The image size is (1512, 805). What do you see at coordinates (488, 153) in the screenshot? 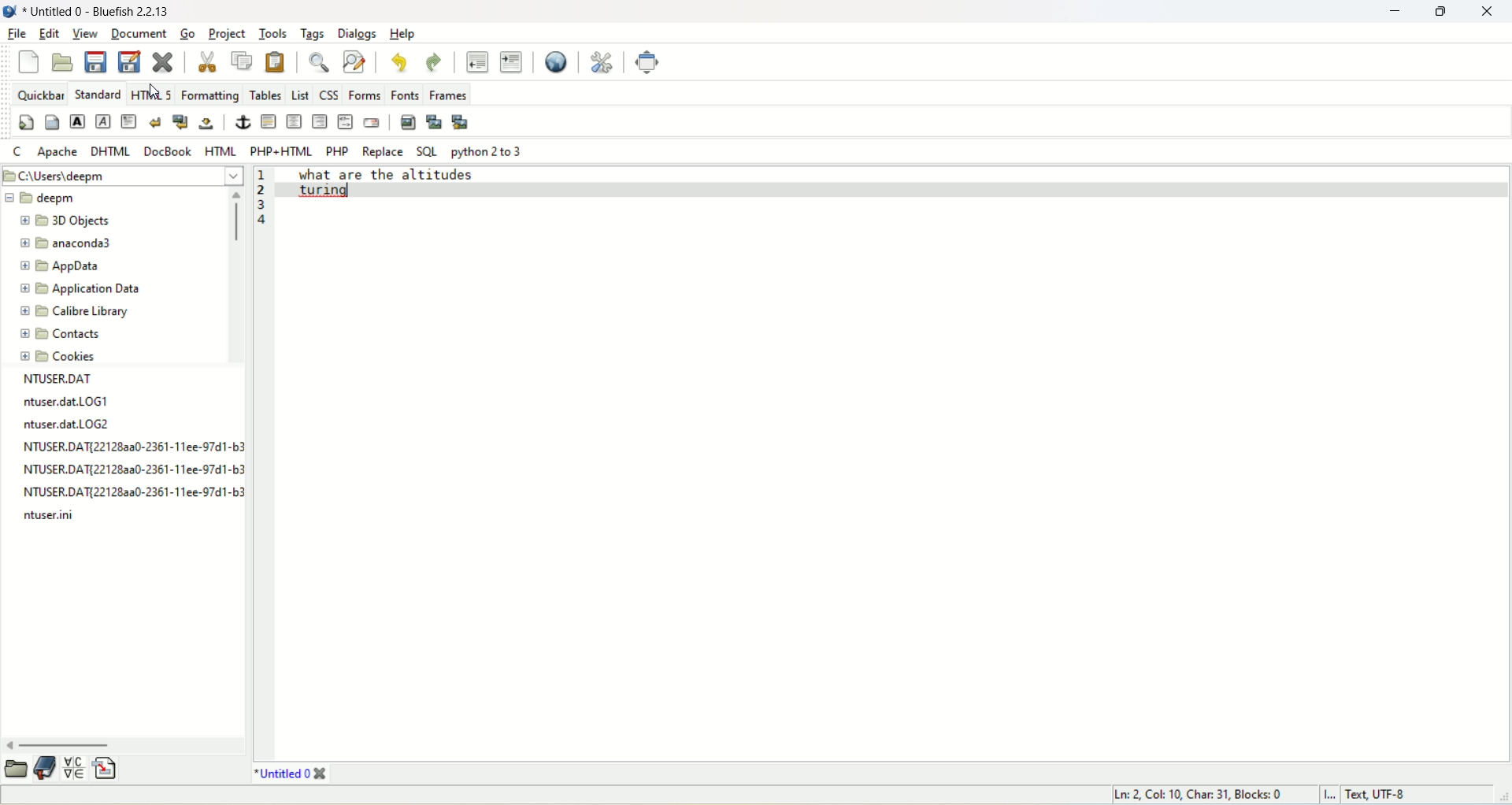
I see `python 2 to 3` at bounding box center [488, 153].